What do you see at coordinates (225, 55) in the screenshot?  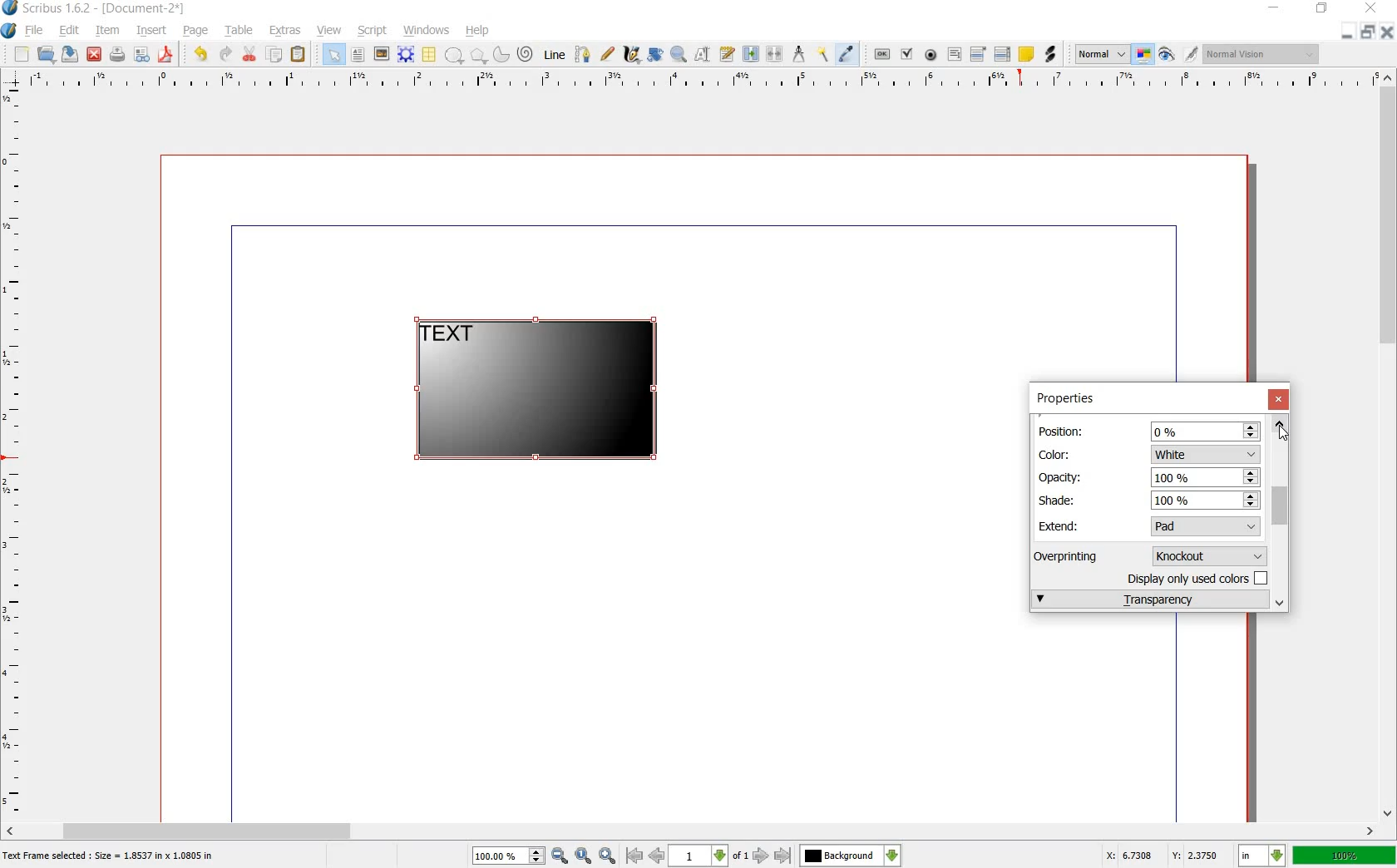 I see `redo` at bounding box center [225, 55].